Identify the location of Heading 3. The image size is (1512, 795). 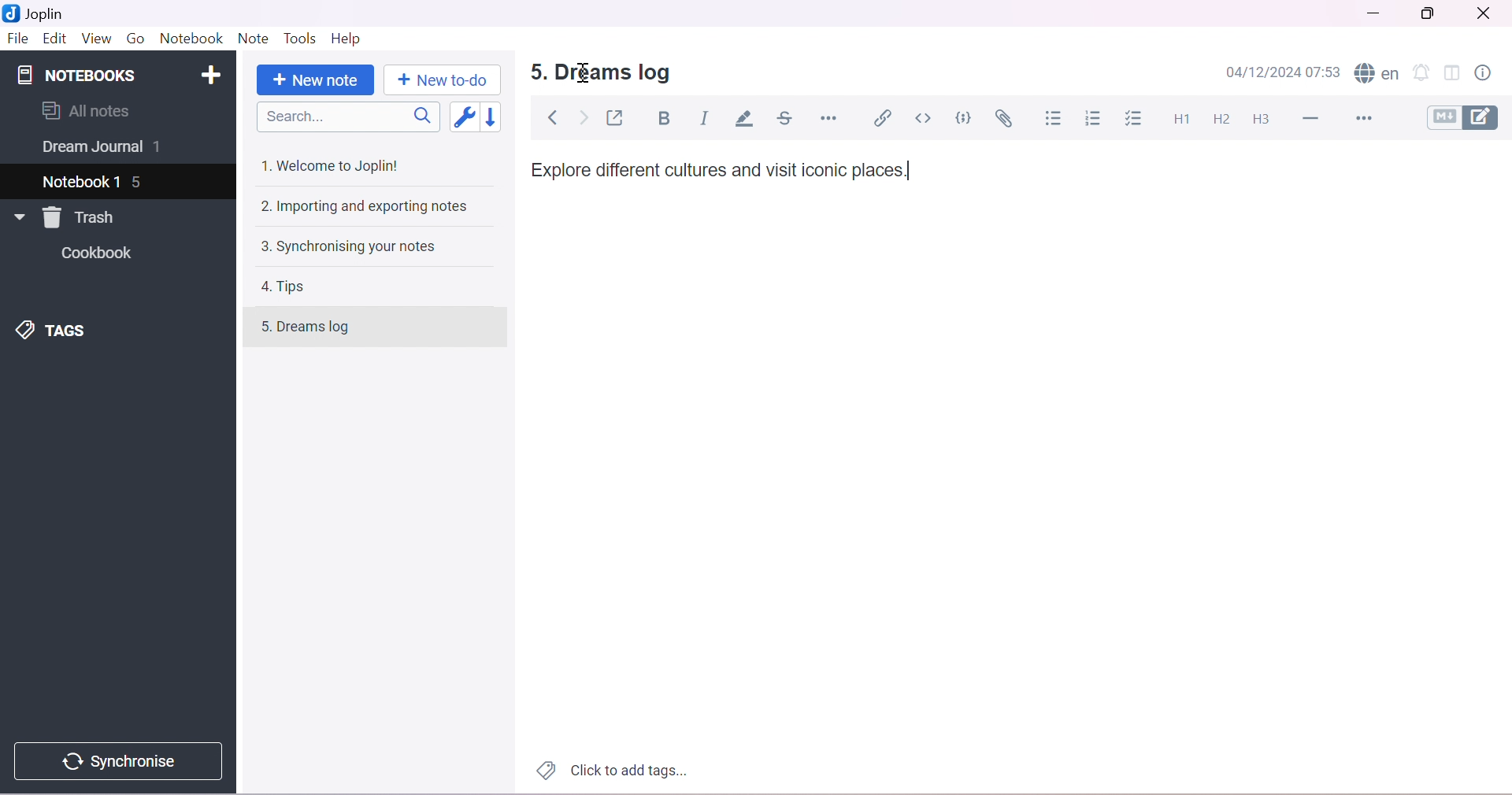
(1262, 118).